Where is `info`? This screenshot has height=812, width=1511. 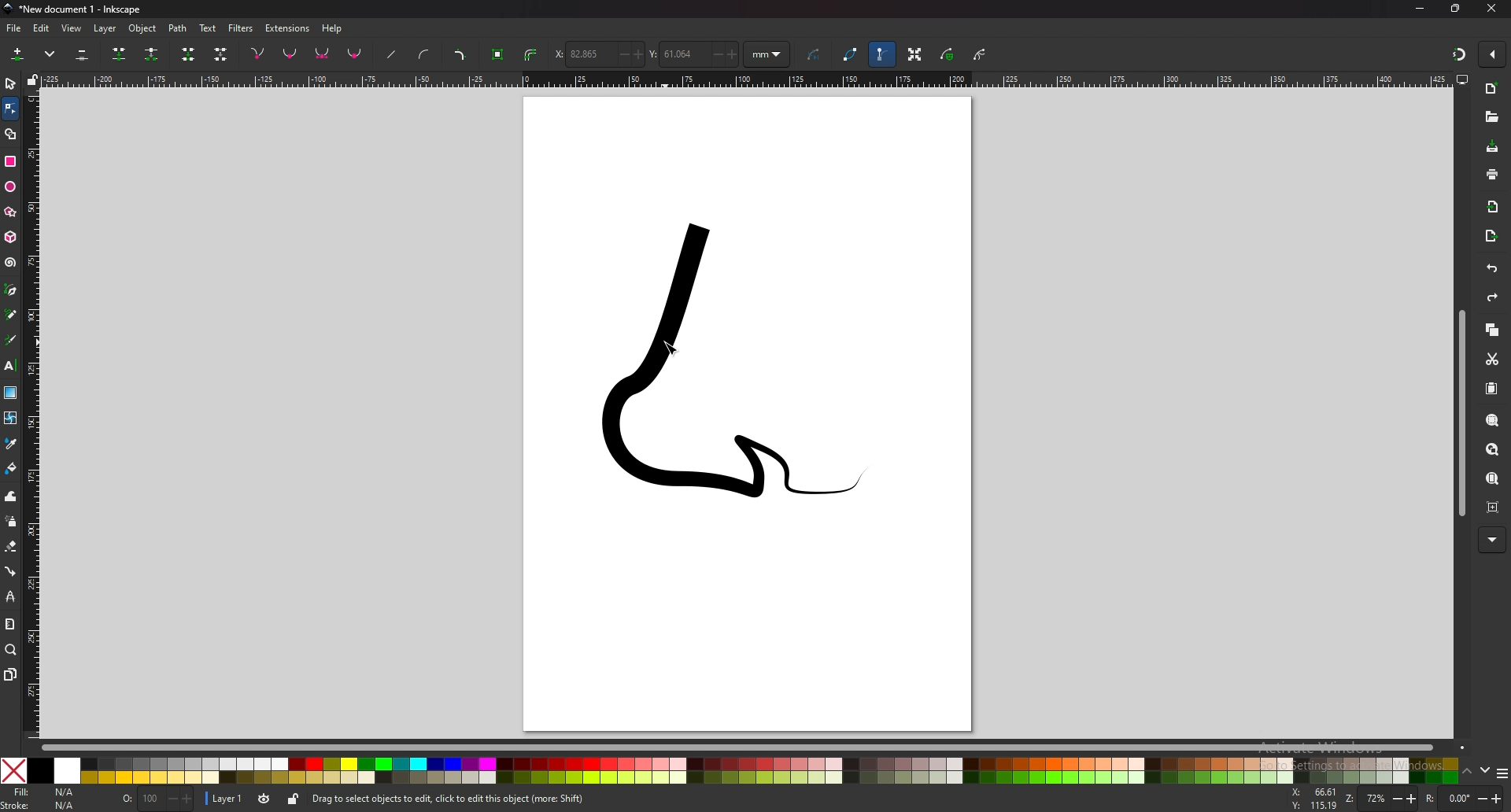
info is located at coordinates (534, 799).